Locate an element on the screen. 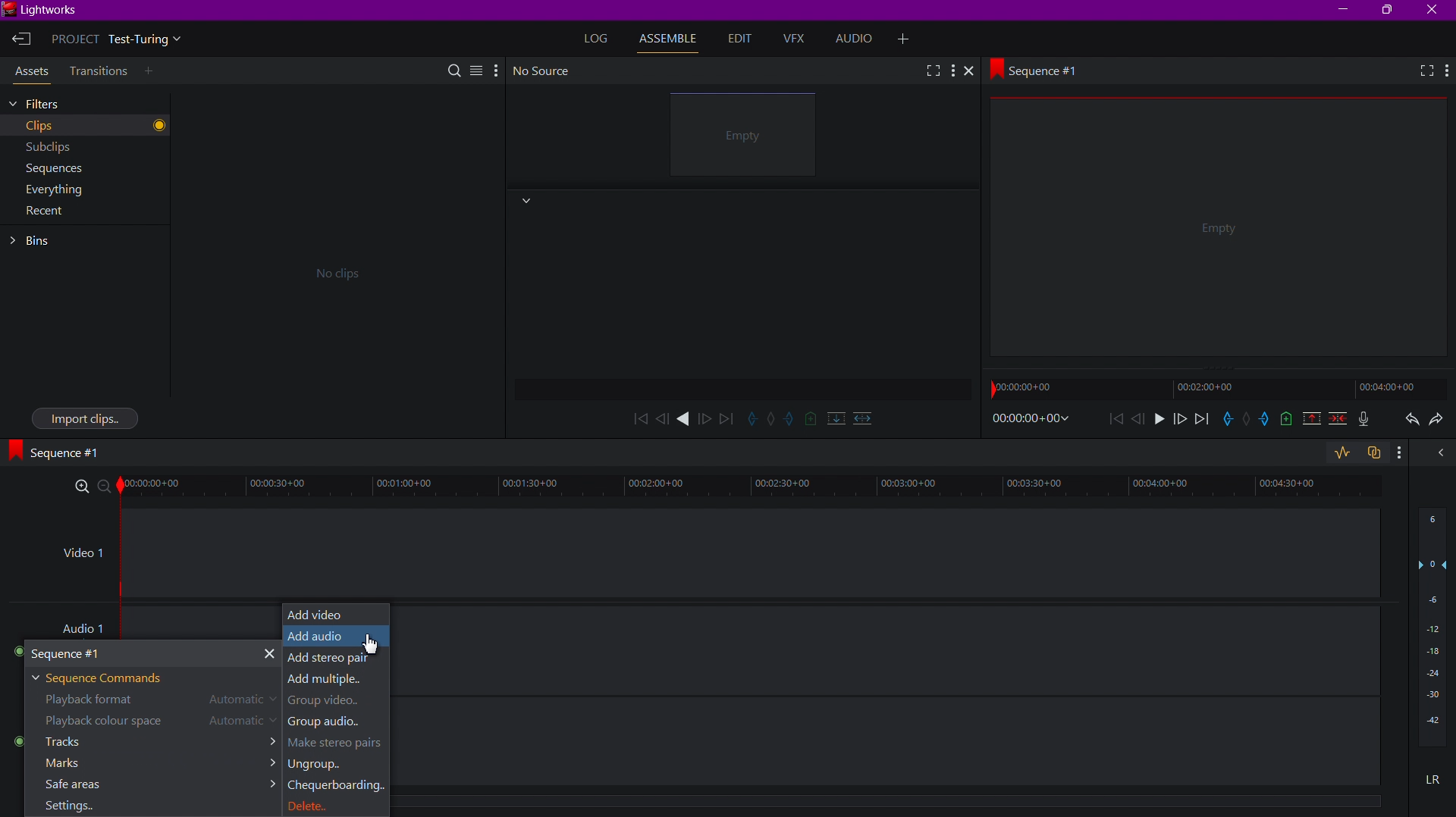 The width and height of the screenshot is (1456, 817). Chequerboarding is located at coordinates (336, 787).